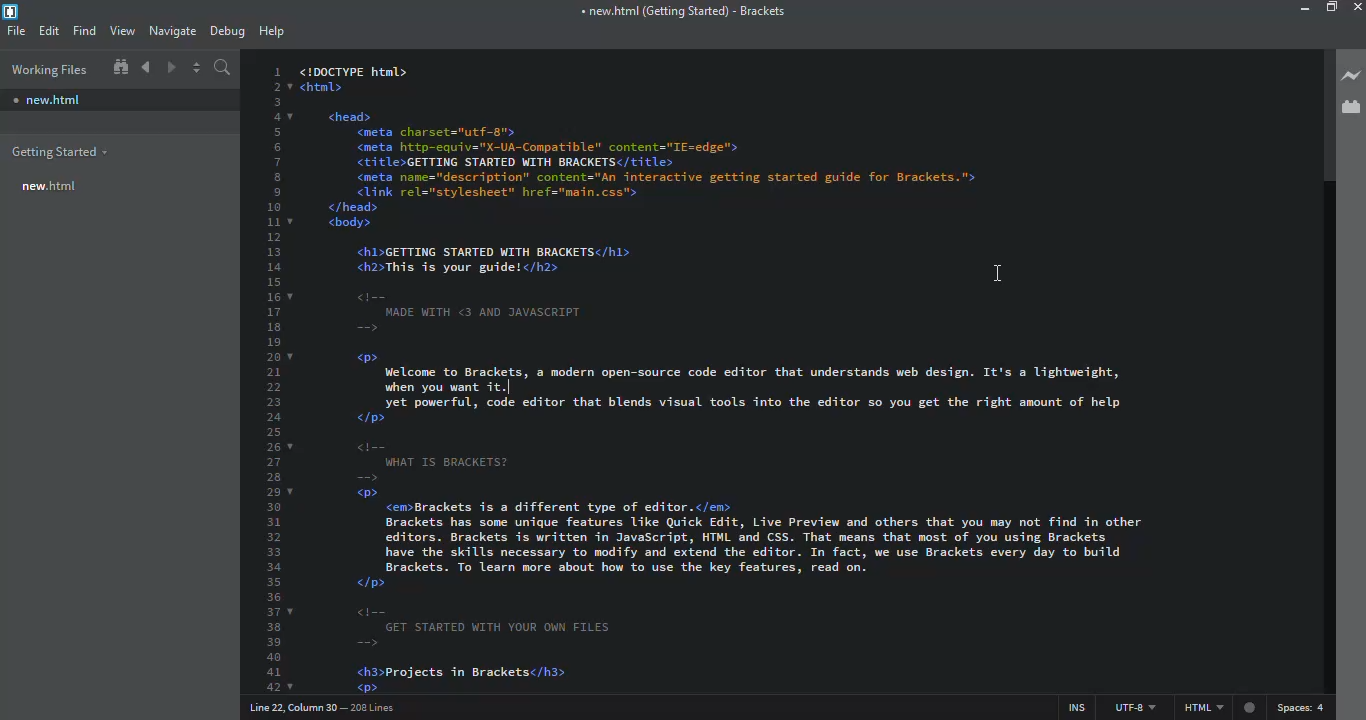 The width and height of the screenshot is (1366, 720). Describe the element at coordinates (1131, 703) in the screenshot. I see `utf 8` at that location.